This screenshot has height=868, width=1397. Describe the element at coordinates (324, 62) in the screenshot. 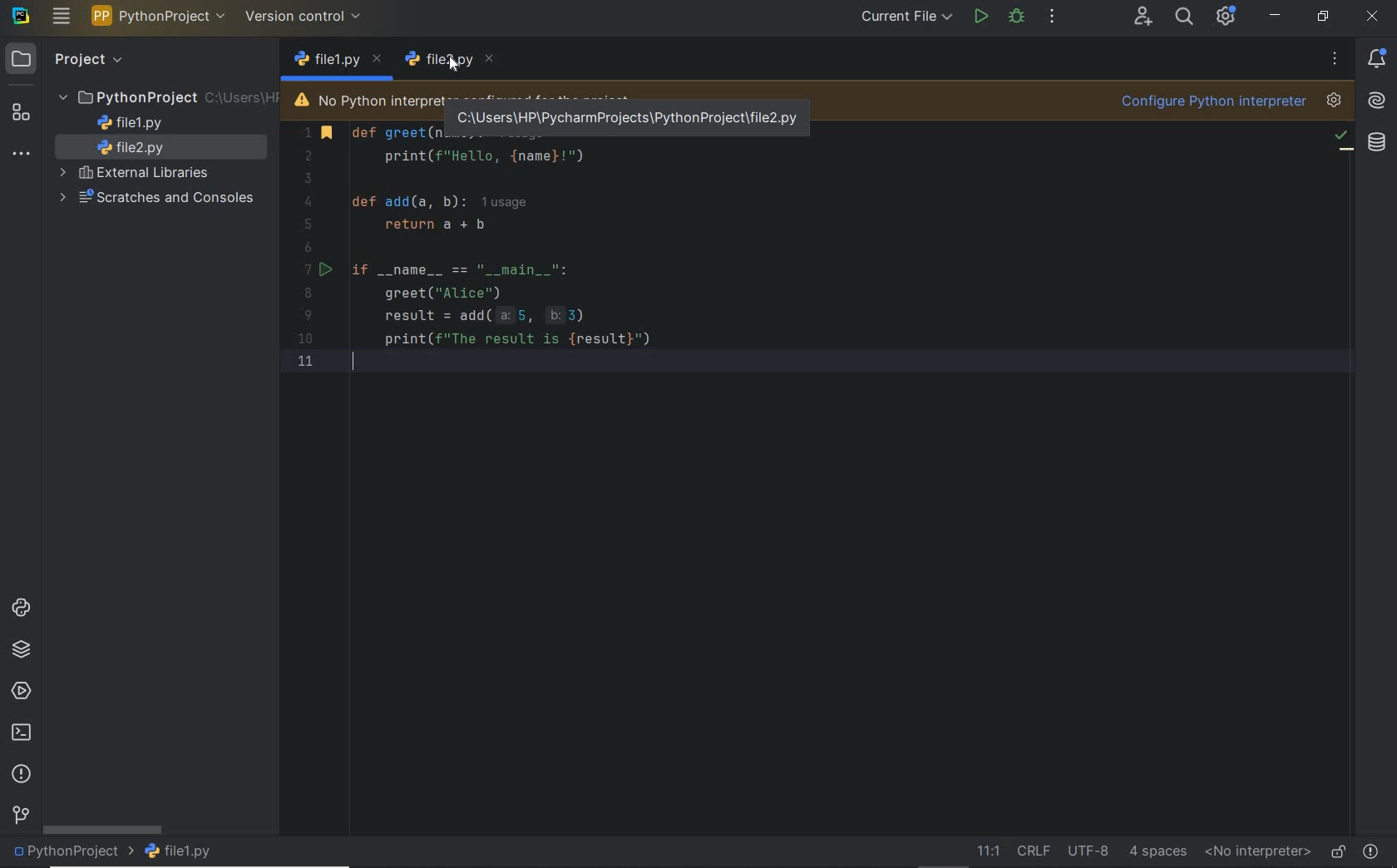

I see `file name` at that location.